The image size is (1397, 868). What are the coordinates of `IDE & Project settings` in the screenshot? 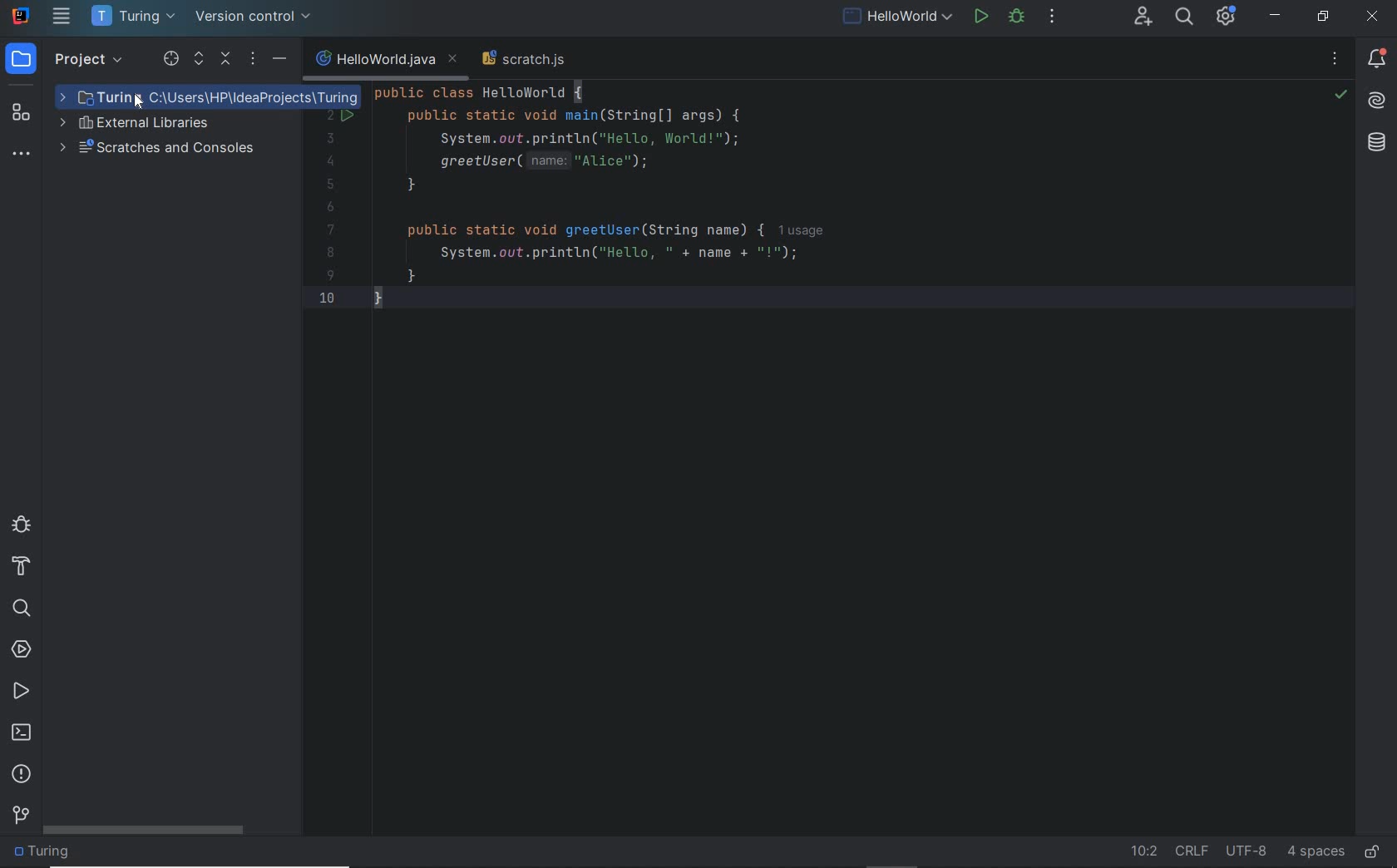 It's located at (1231, 17).